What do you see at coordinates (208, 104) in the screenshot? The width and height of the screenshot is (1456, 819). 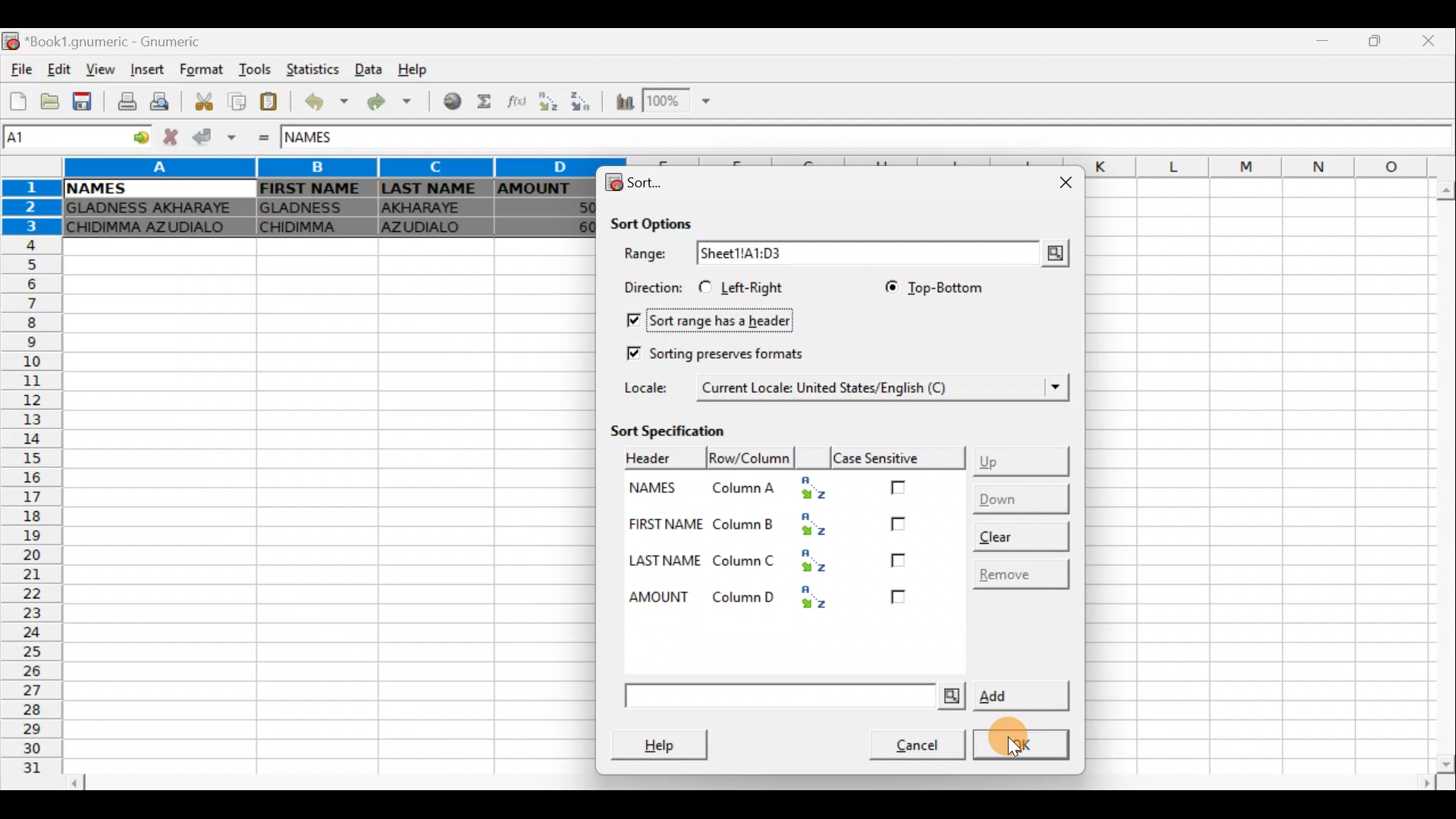 I see `Cut selection` at bounding box center [208, 104].